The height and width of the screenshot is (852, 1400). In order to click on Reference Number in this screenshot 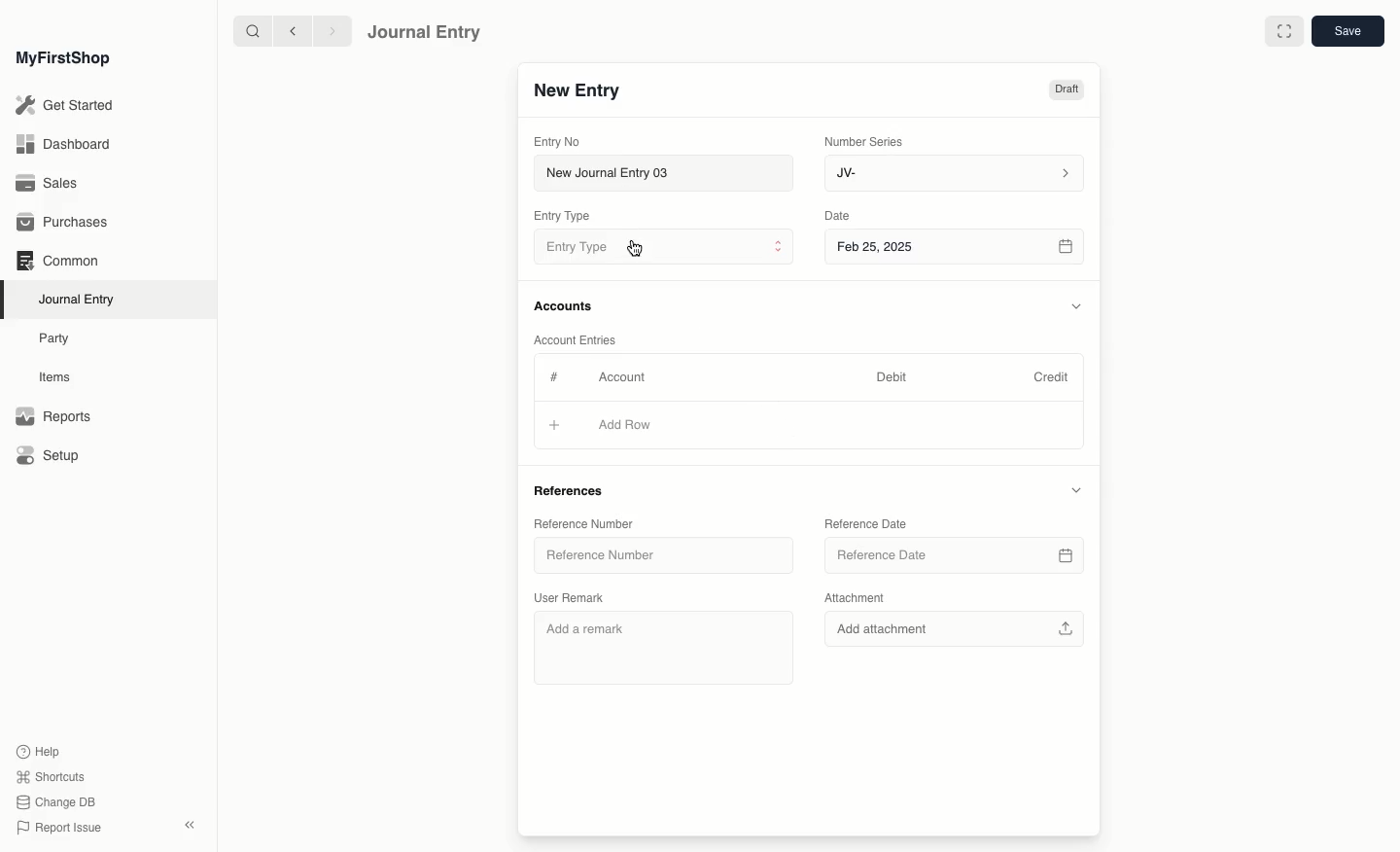, I will do `click(584, 523)`.